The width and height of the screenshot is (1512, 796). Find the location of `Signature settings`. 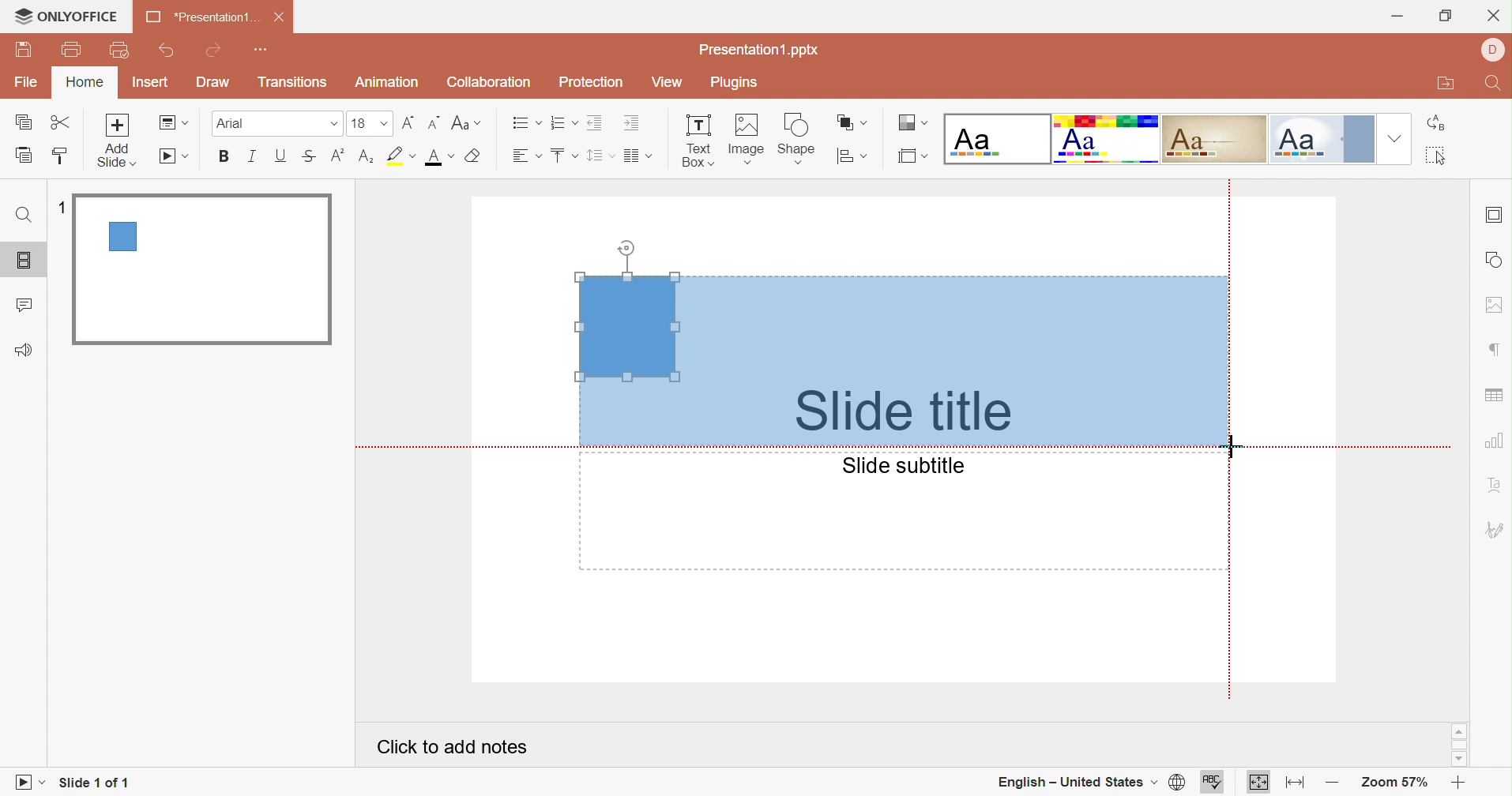

Signature settings is located at coordinates (1495, 531).